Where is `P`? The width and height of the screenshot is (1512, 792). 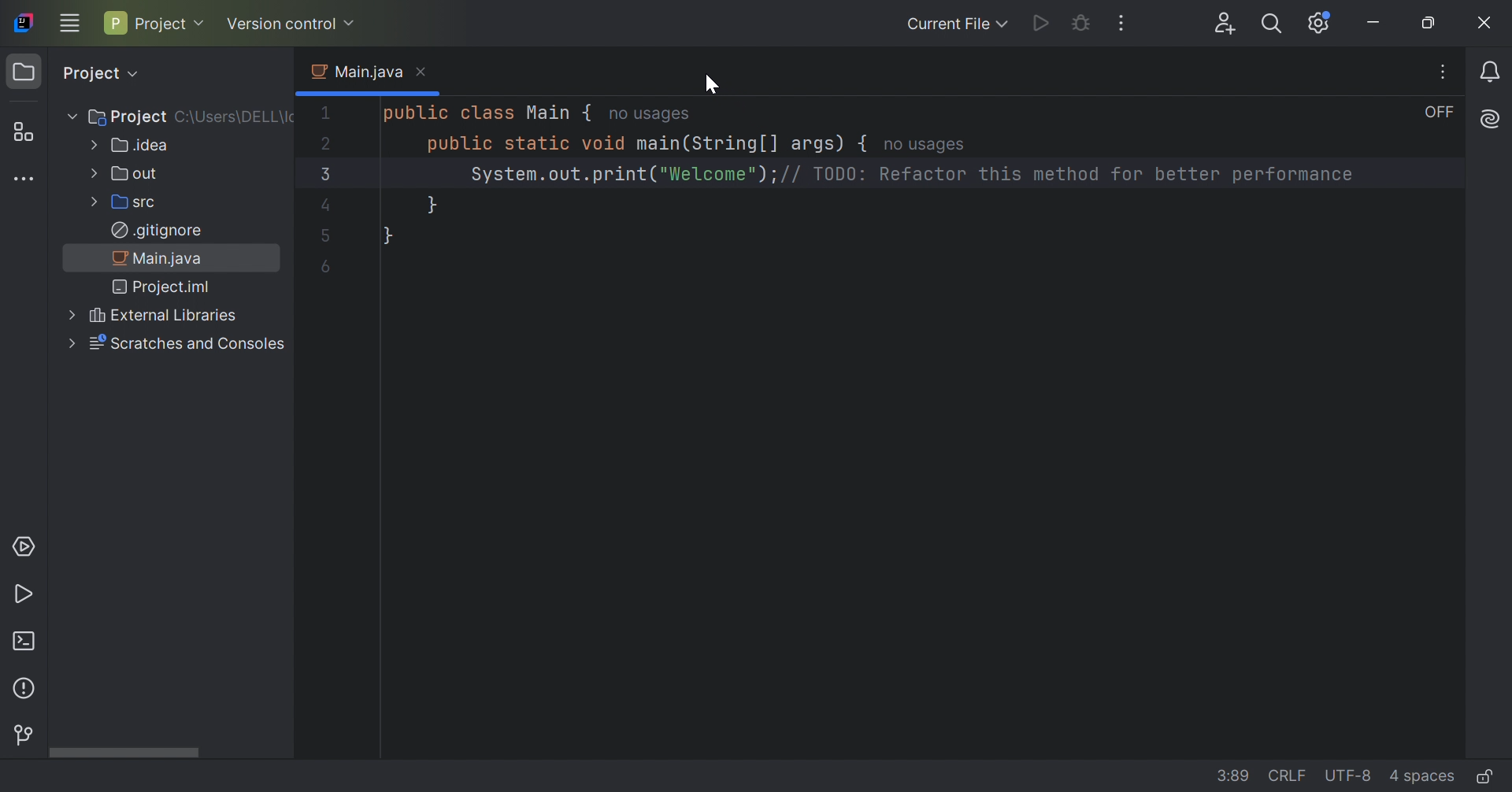
P is located at coordinates (113, 23).